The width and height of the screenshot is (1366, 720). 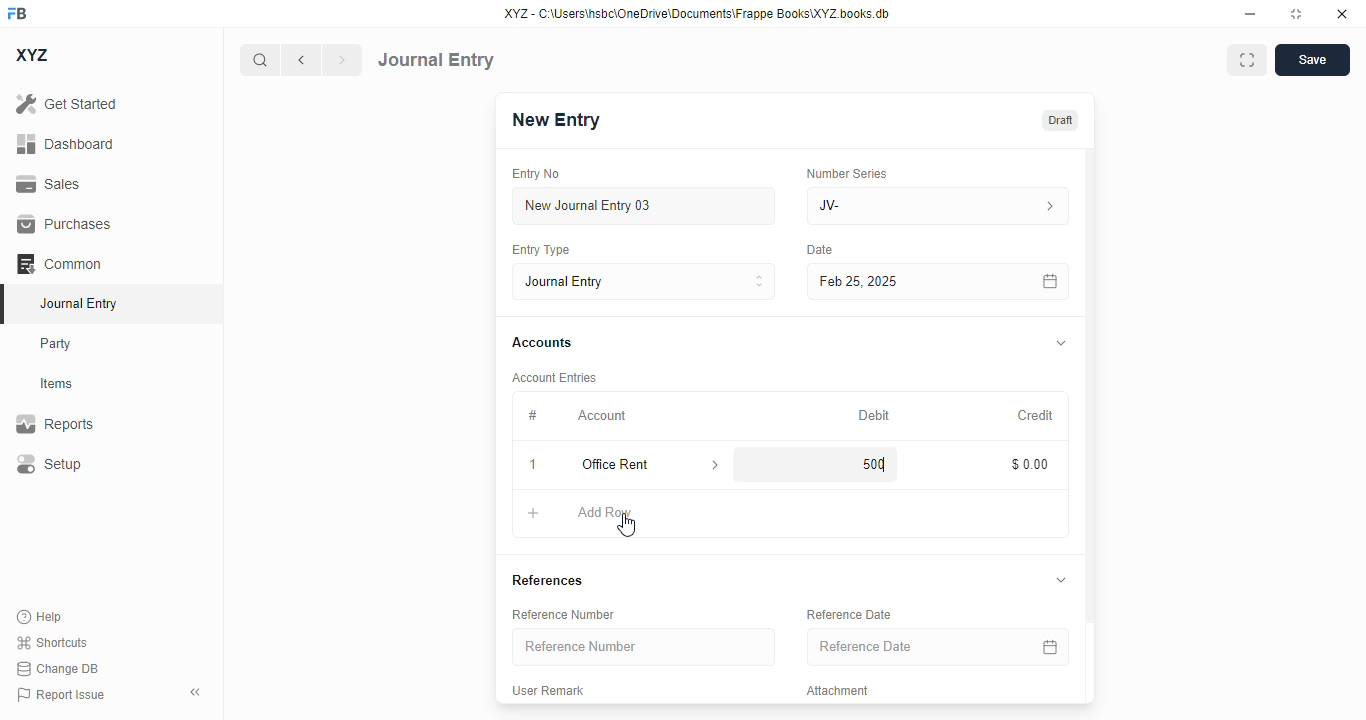 I want to click on credit, so click(x=1037, y=416).